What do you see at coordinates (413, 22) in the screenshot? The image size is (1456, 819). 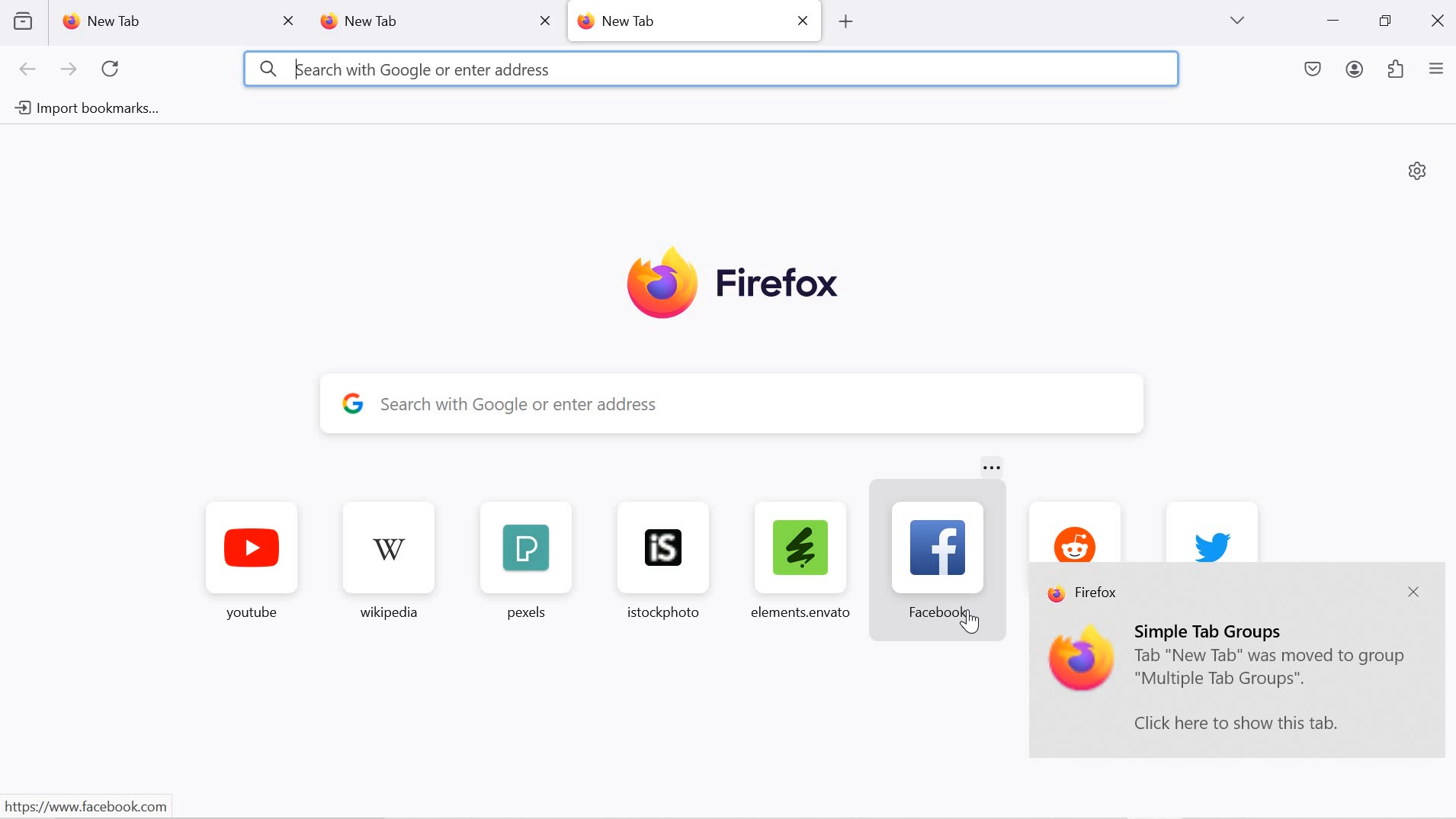 I see `new tab` at bounding box center [413, 22].